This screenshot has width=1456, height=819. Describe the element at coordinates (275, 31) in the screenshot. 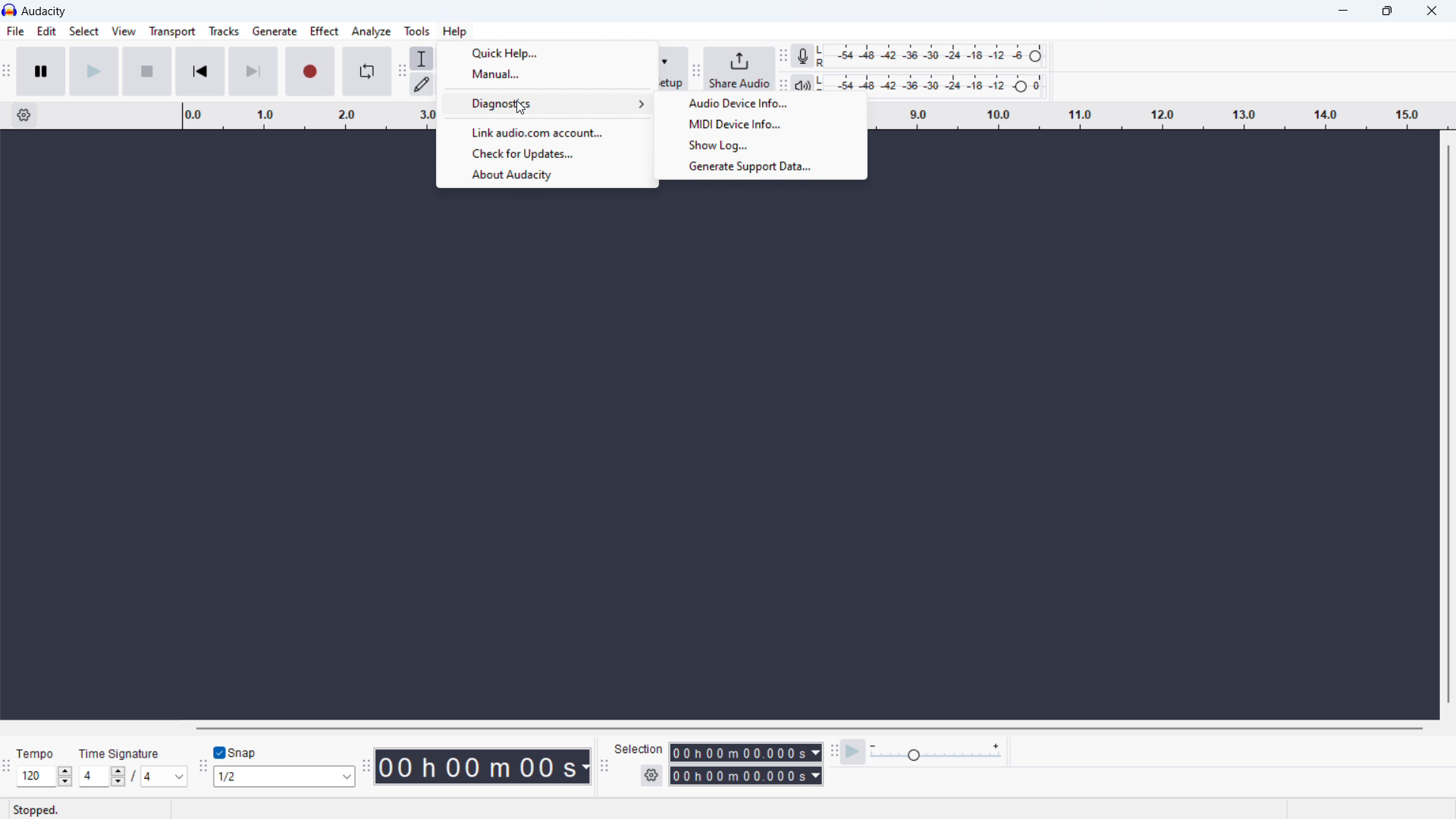

I see `generate` at that location.